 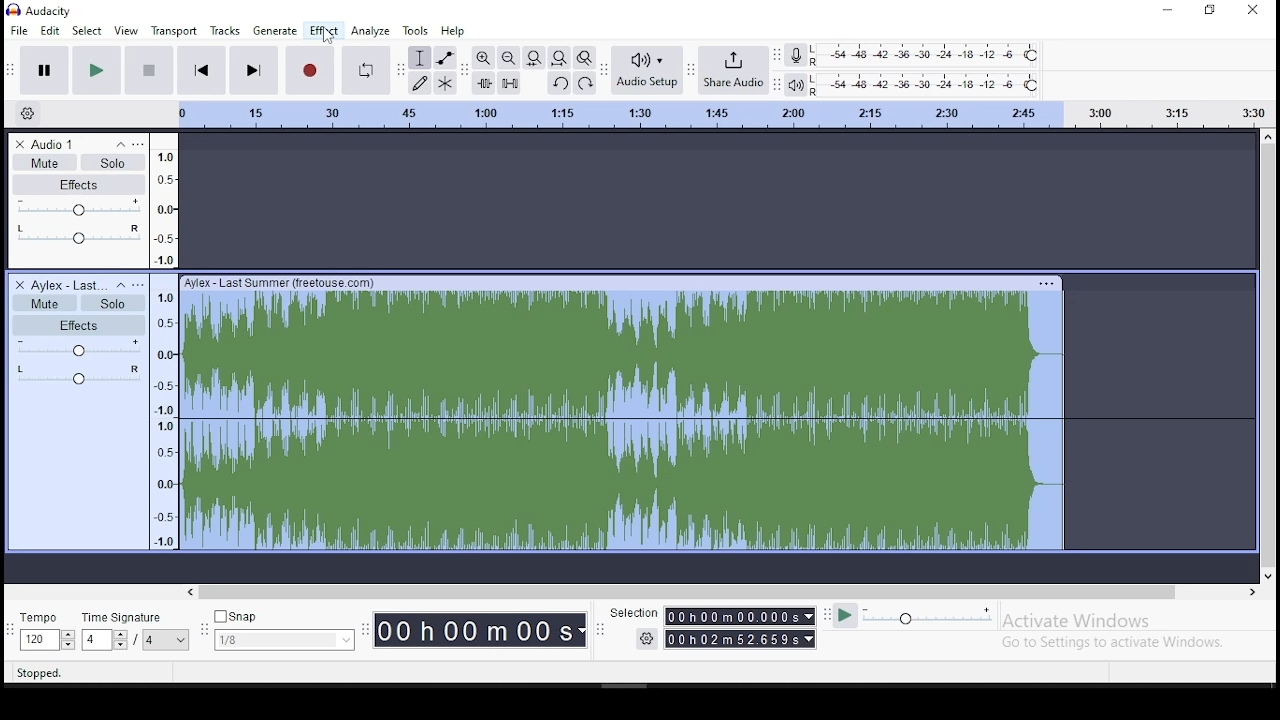 What do you see at coordinates (794, 84) in the screenshot?
I see `playback meter` at bounding box center [794, 84].